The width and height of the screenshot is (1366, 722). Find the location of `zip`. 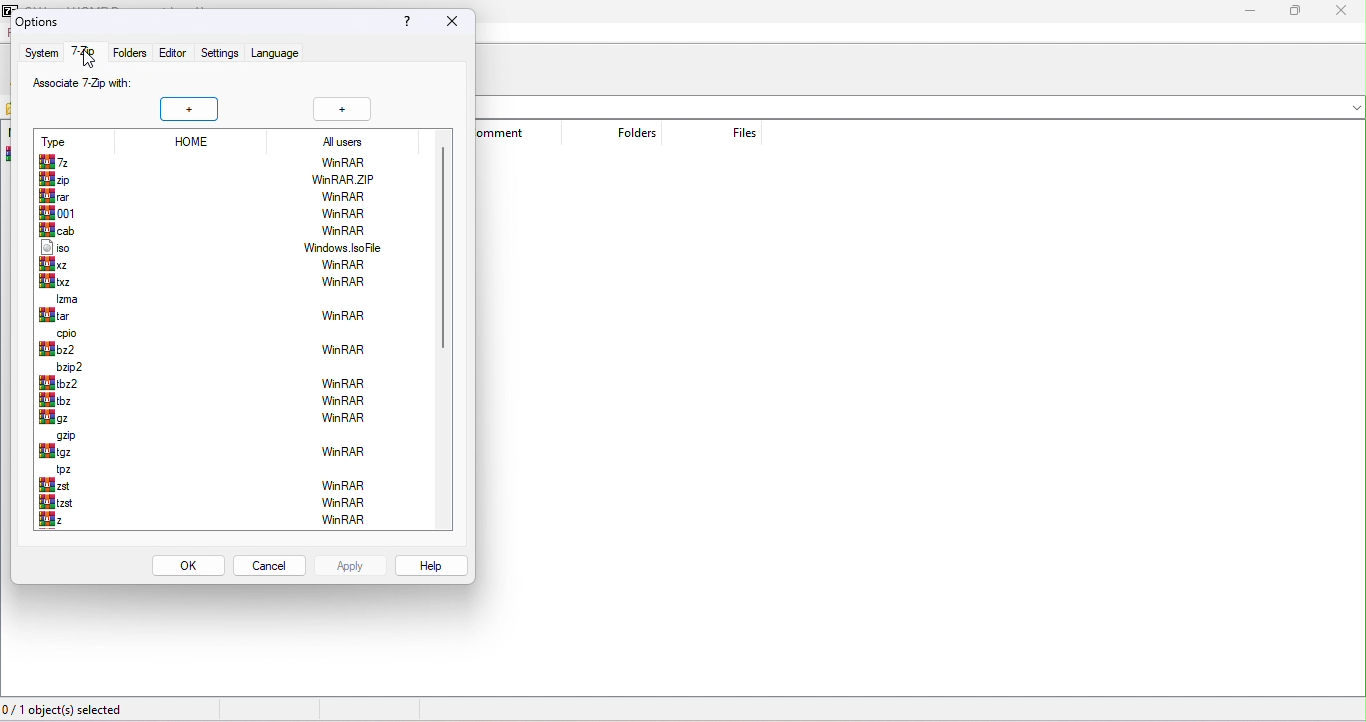

zip is located at coordinates (54, 179).